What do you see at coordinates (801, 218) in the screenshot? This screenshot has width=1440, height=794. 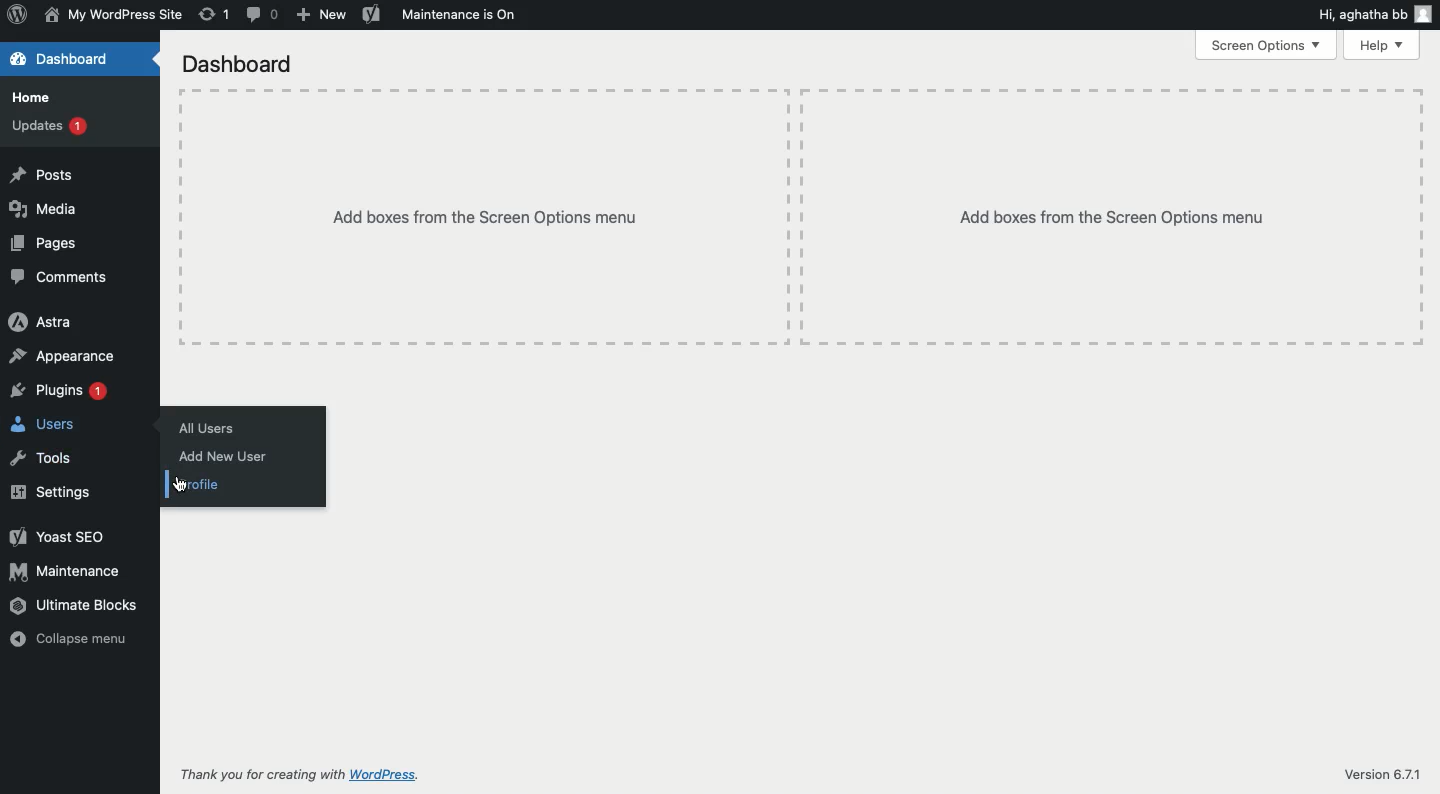 I see `Add boxes from the screen options menu` at bounding box center [801, 218].